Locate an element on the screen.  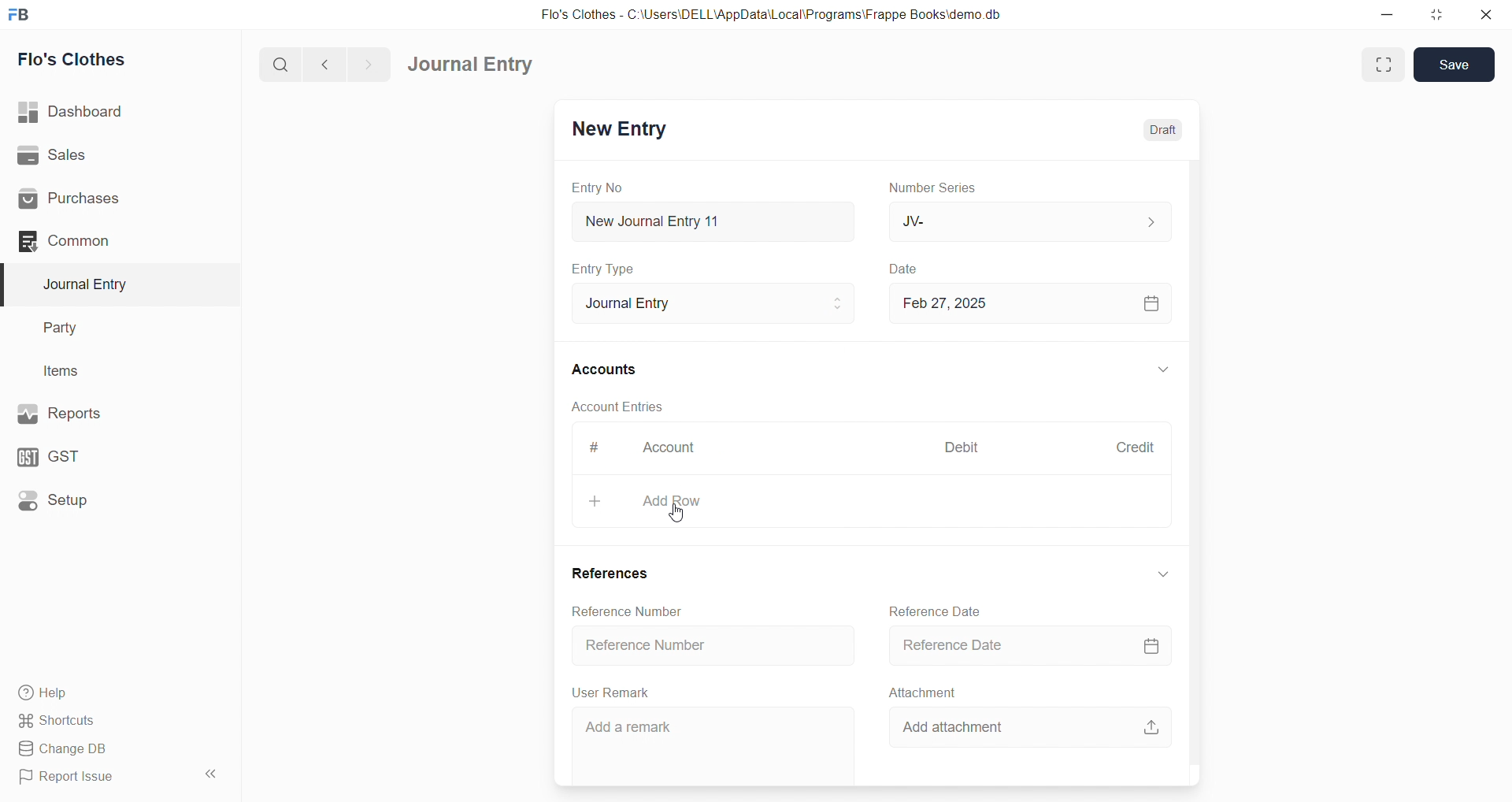
collapse sidebar is located at coordinates (213, 774).